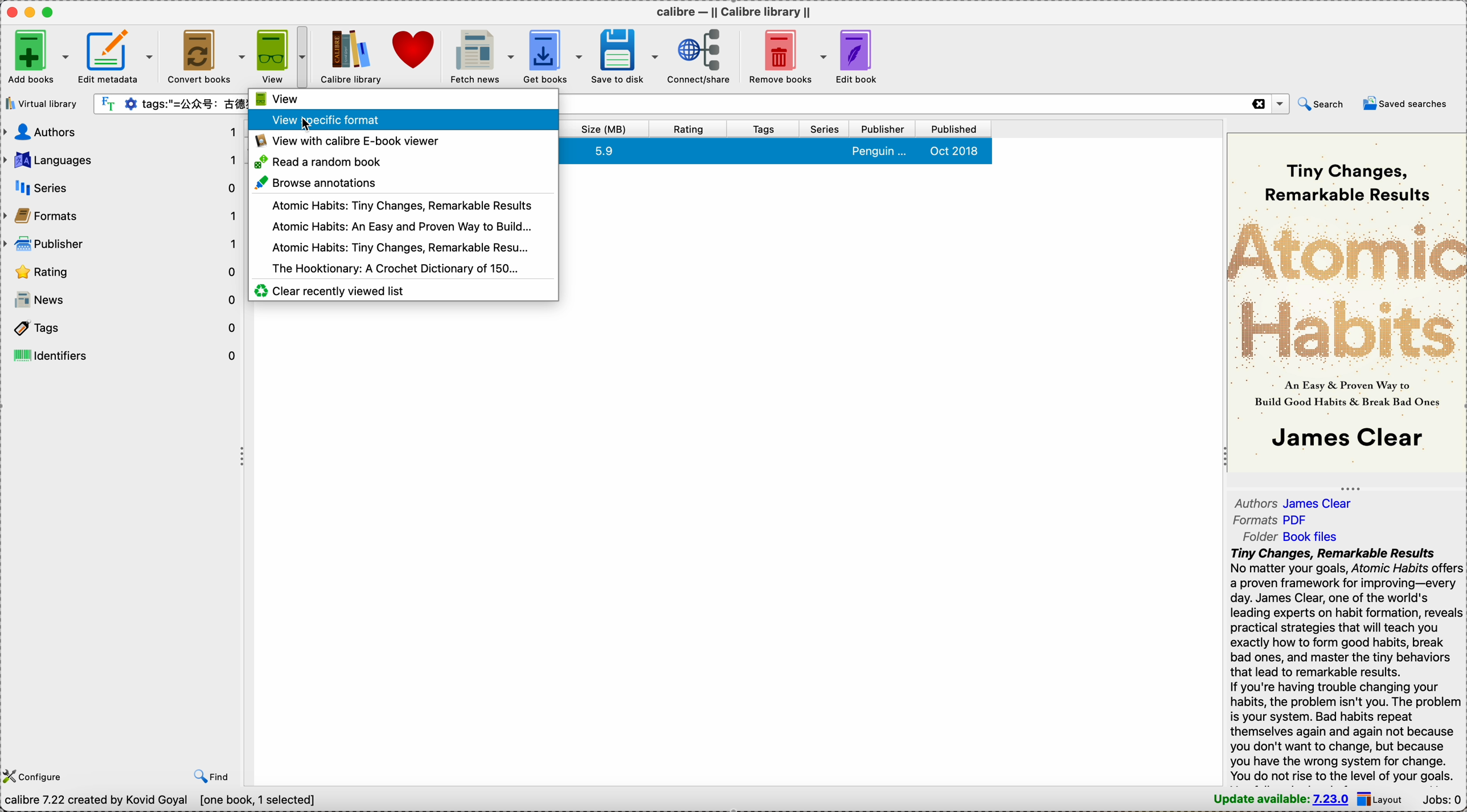 The height and width of the screenshot is (812, 1467). Describe the element at coordinates (826, 128) in the screenshot. I see `series` at that location.